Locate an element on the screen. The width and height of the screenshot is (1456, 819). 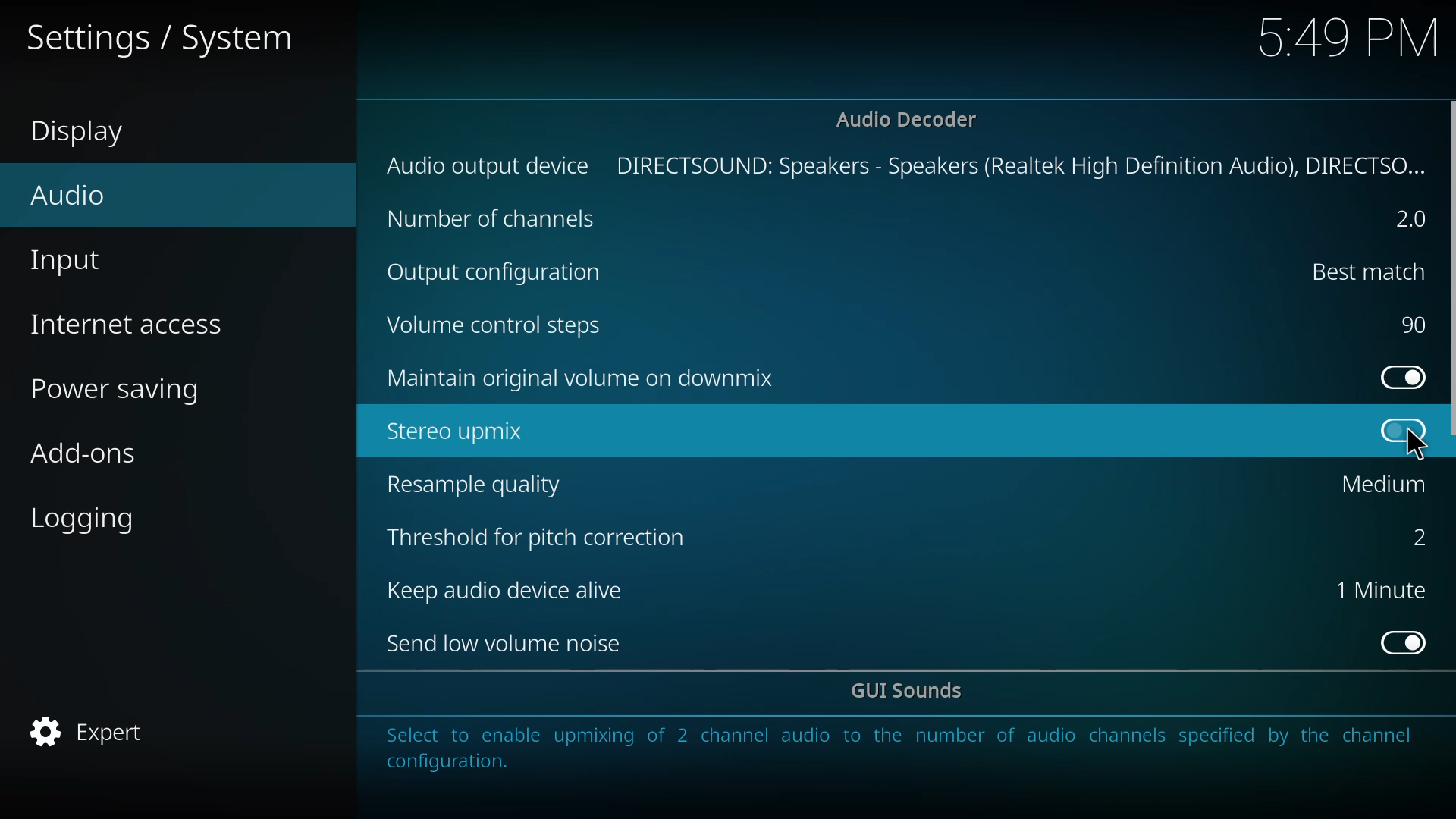
display is located at coordinates (83, 132).